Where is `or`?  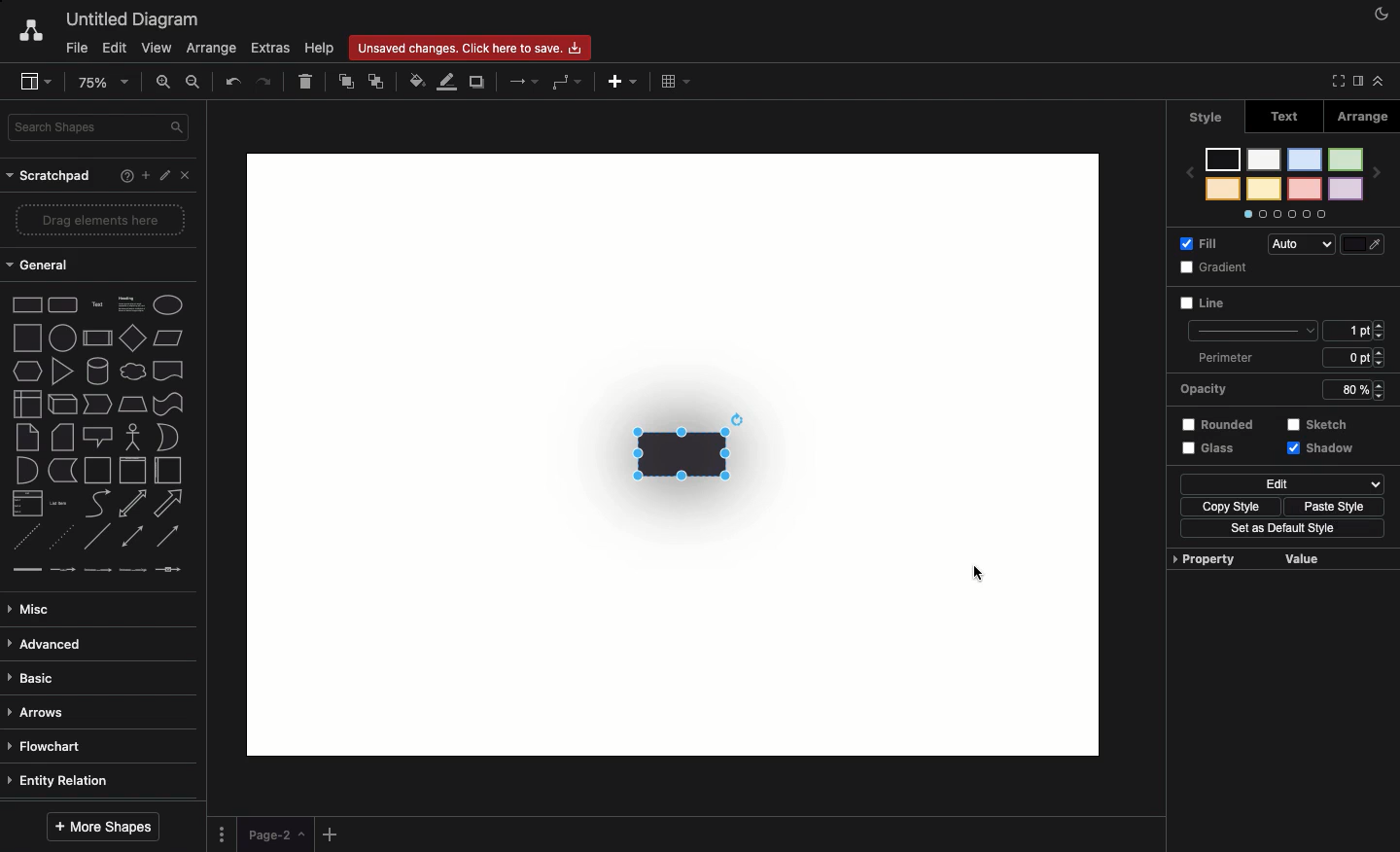
or is located at coordinates (172, 437).